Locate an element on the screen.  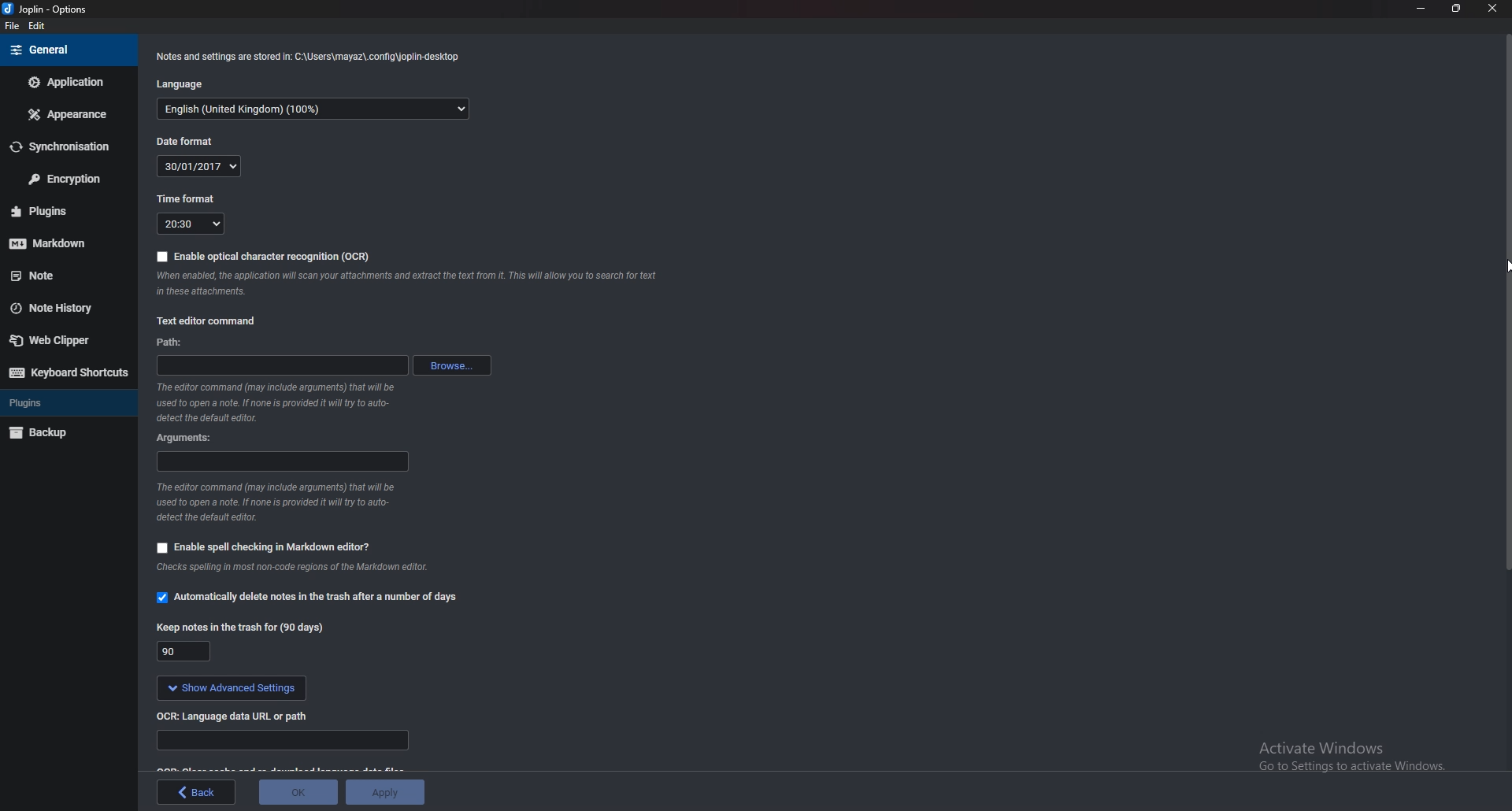
Back up is located at coordinates (57, 433).